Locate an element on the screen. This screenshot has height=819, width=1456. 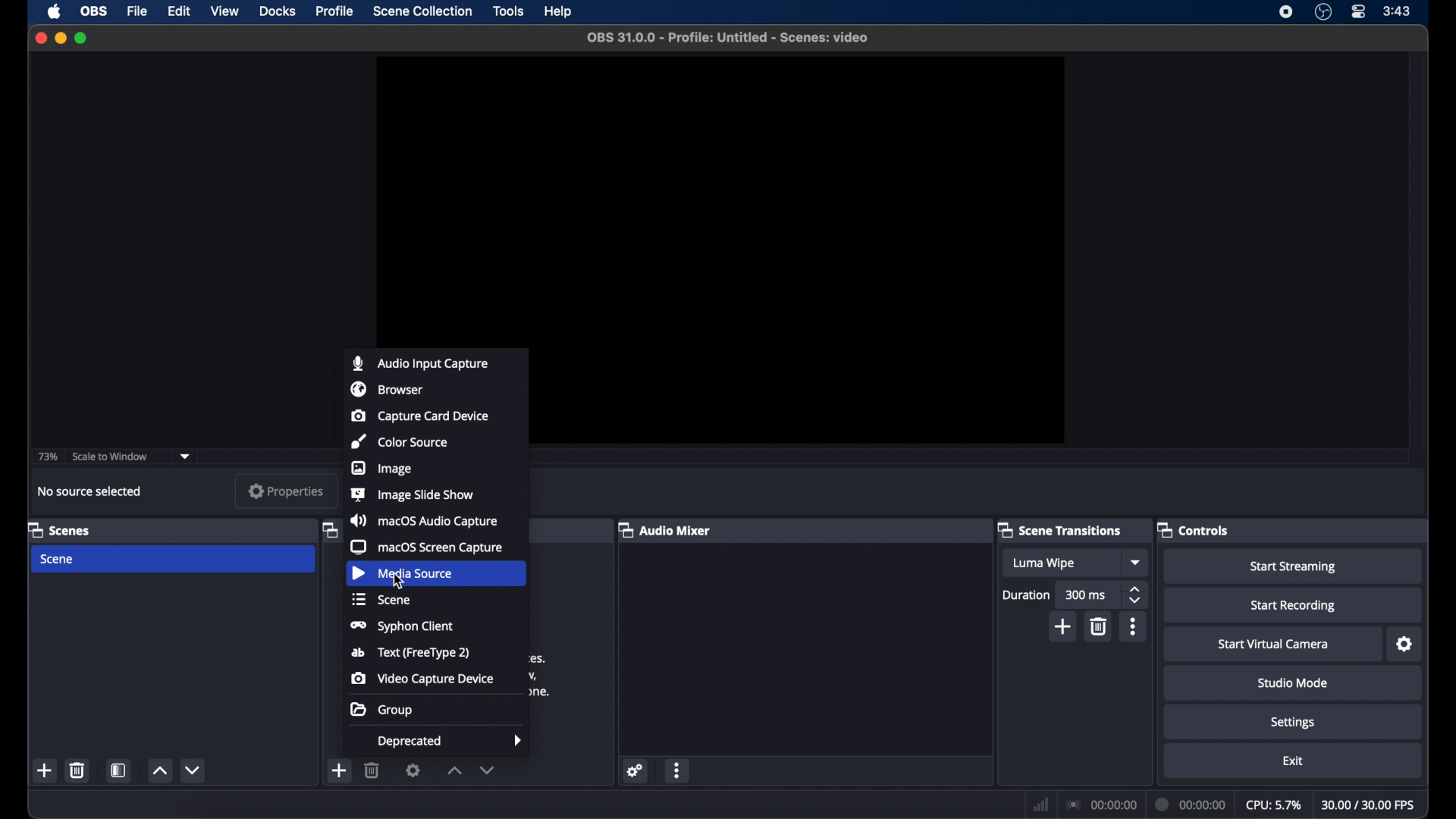
image is located at coordinates (384, 469).